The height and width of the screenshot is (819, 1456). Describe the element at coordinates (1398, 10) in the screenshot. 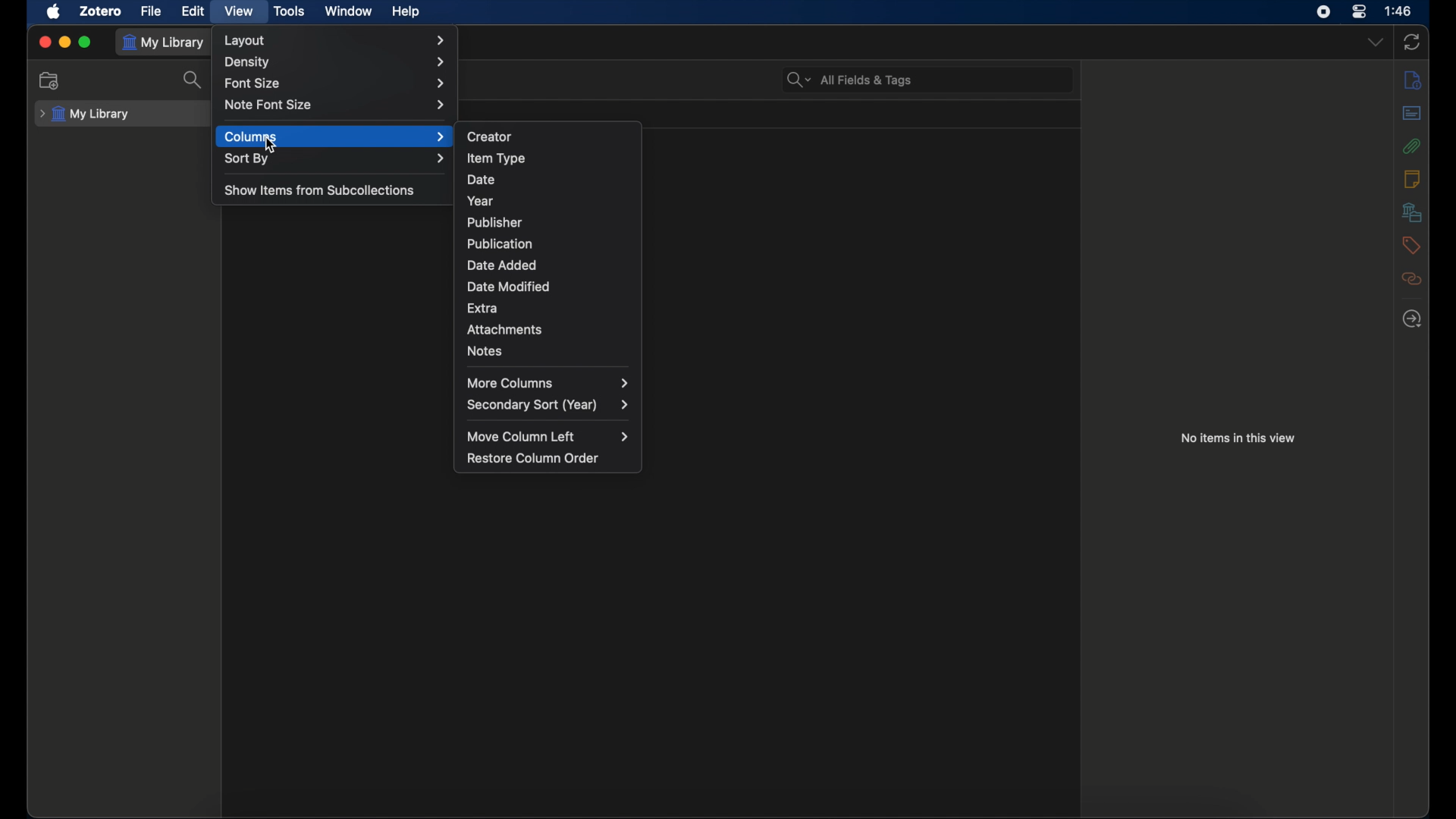

I see `time (1:48)` at that location.